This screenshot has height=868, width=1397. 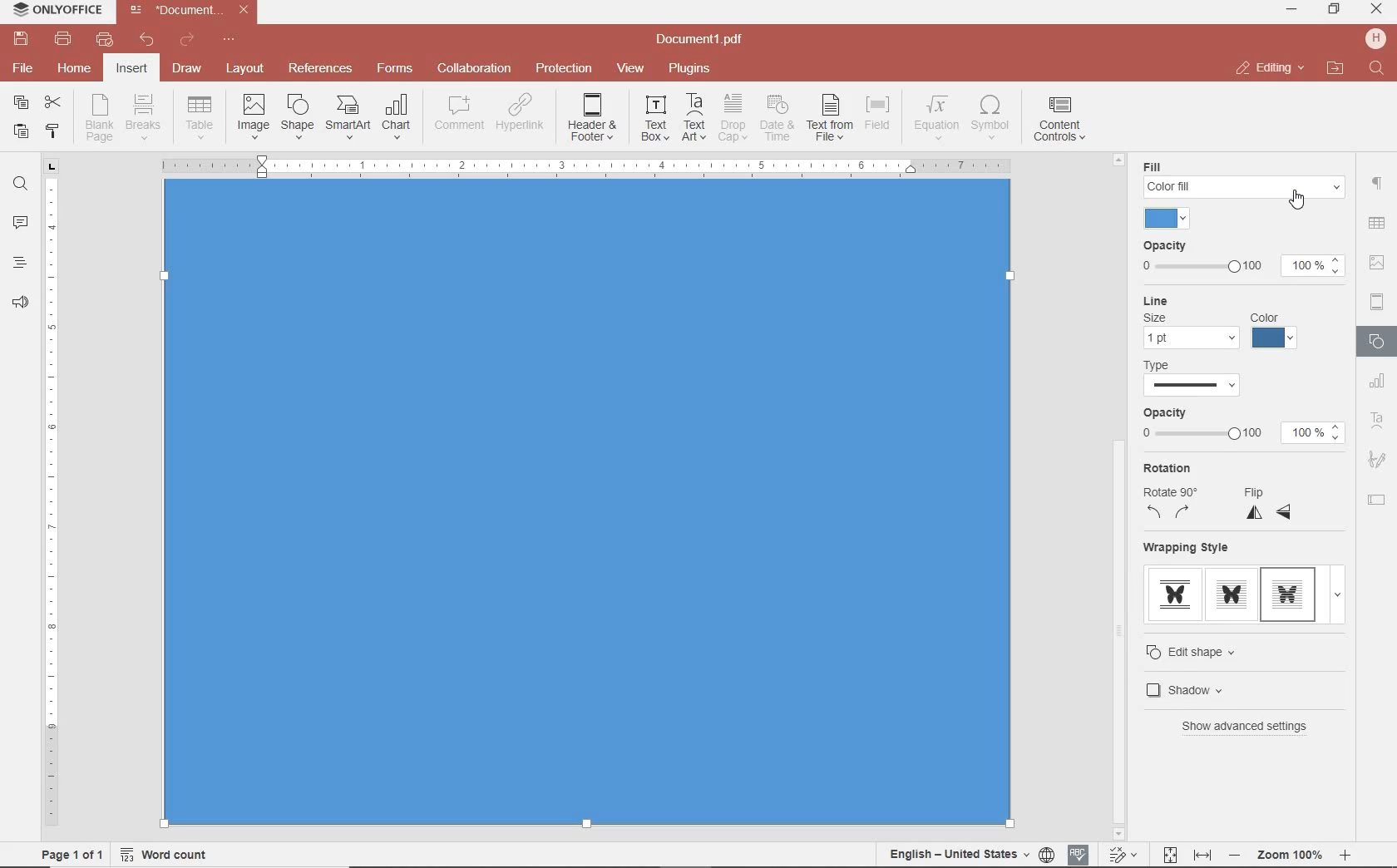 I want to click on EDIT HEADER OR FOOTER, so click(x=594, y=118).